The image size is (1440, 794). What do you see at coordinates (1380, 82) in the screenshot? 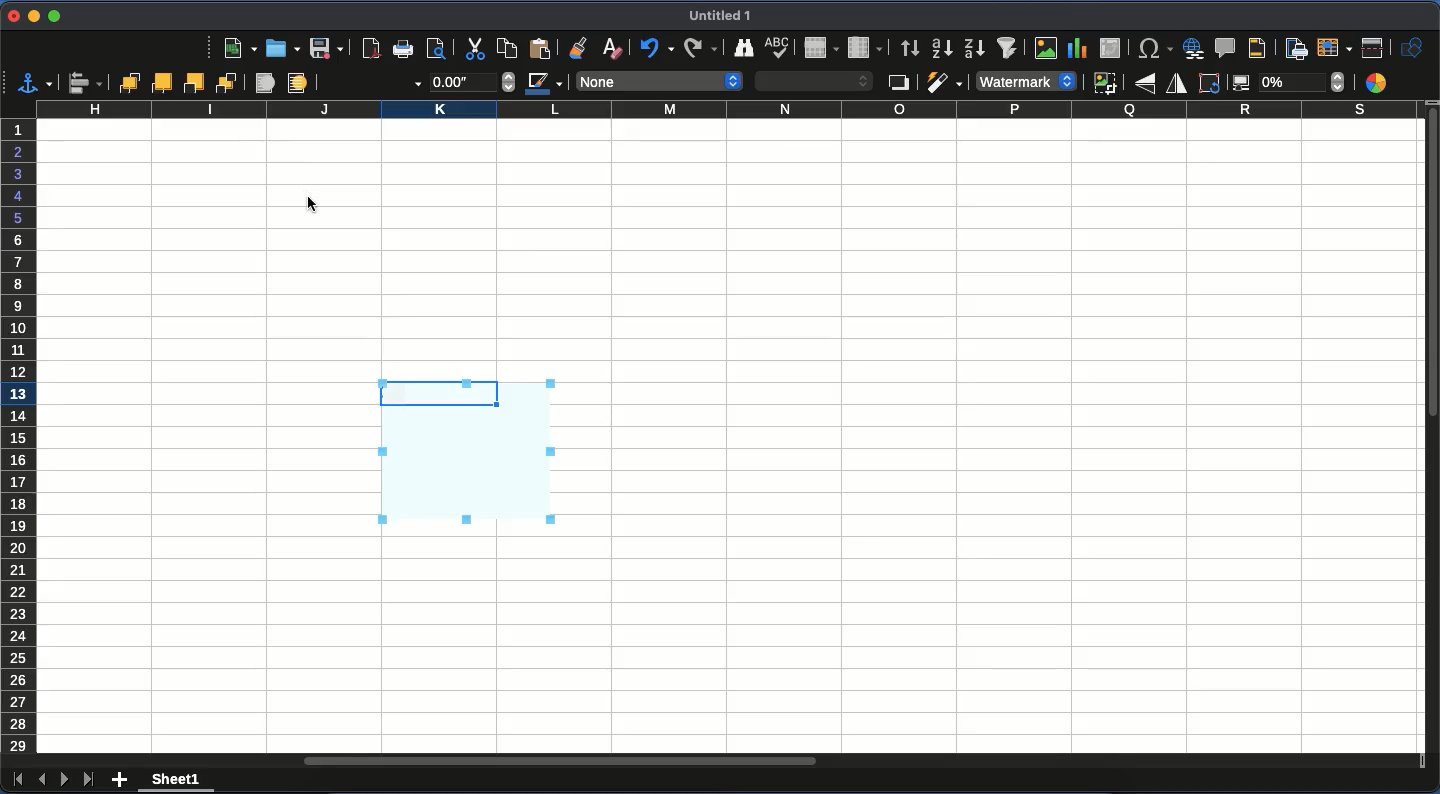
I see `color` at bounding box center [1380, 82].